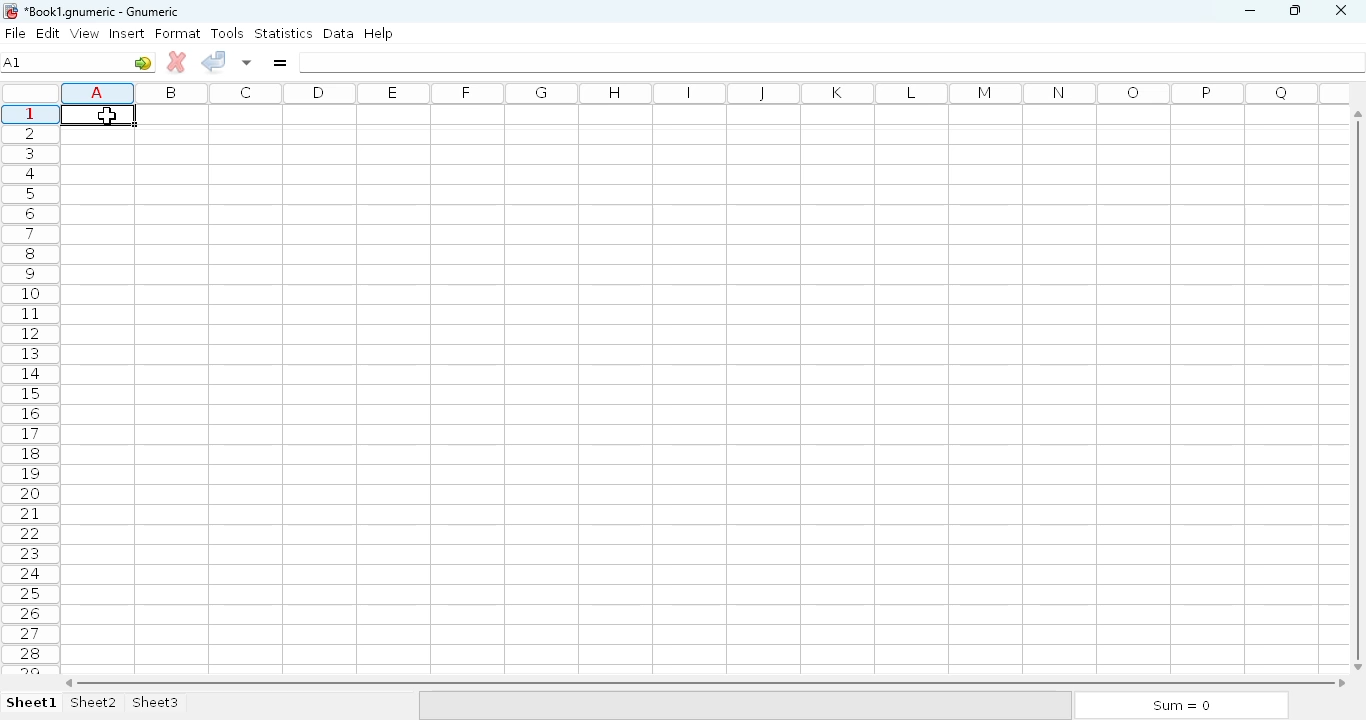 This screenshot has height=720, width=1366. Describe the element at coordinates (127, 33) in the screenshot. I see `insert` at that location.